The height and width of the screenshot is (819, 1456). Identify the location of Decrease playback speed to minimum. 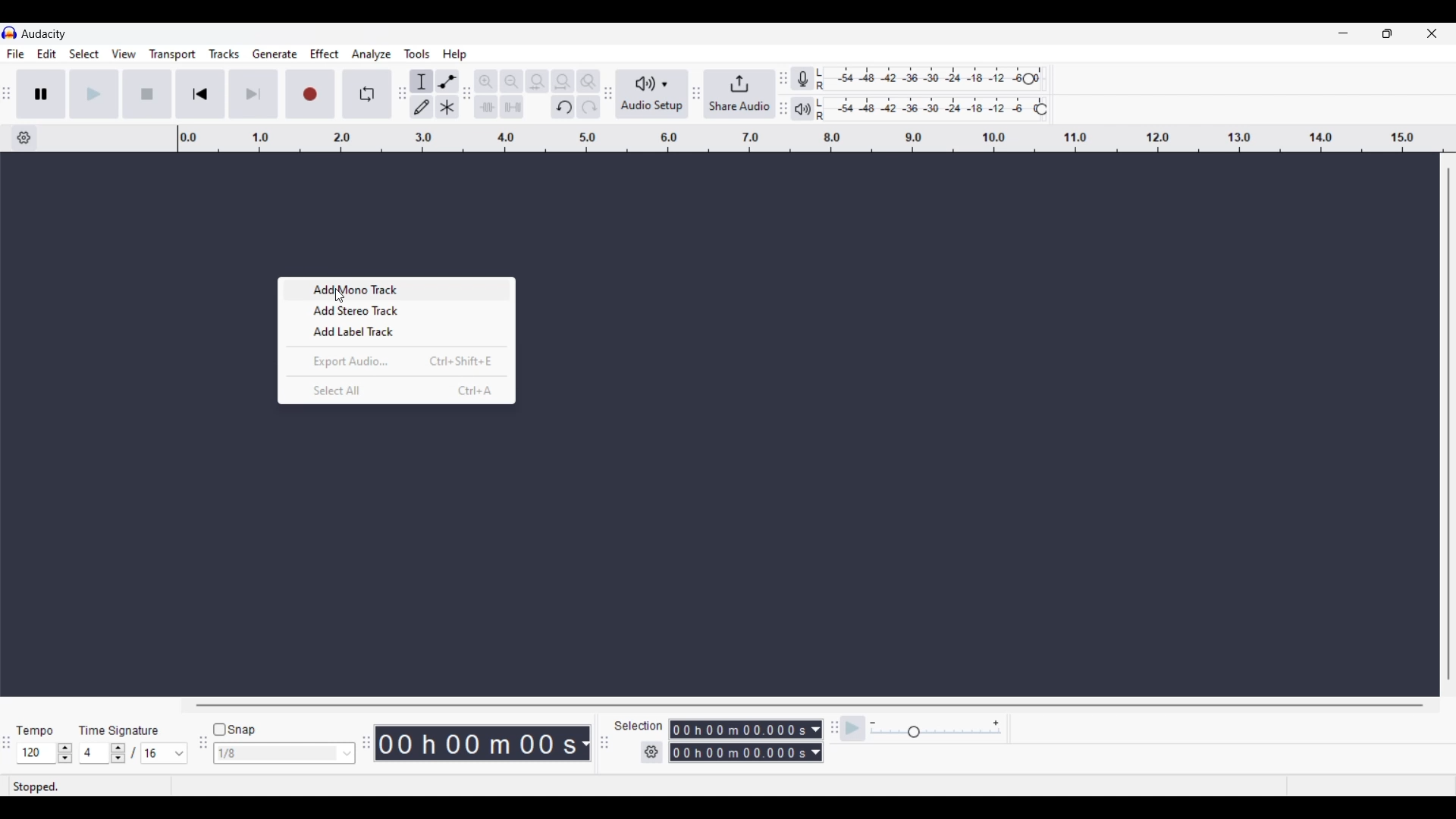
(873, 723).